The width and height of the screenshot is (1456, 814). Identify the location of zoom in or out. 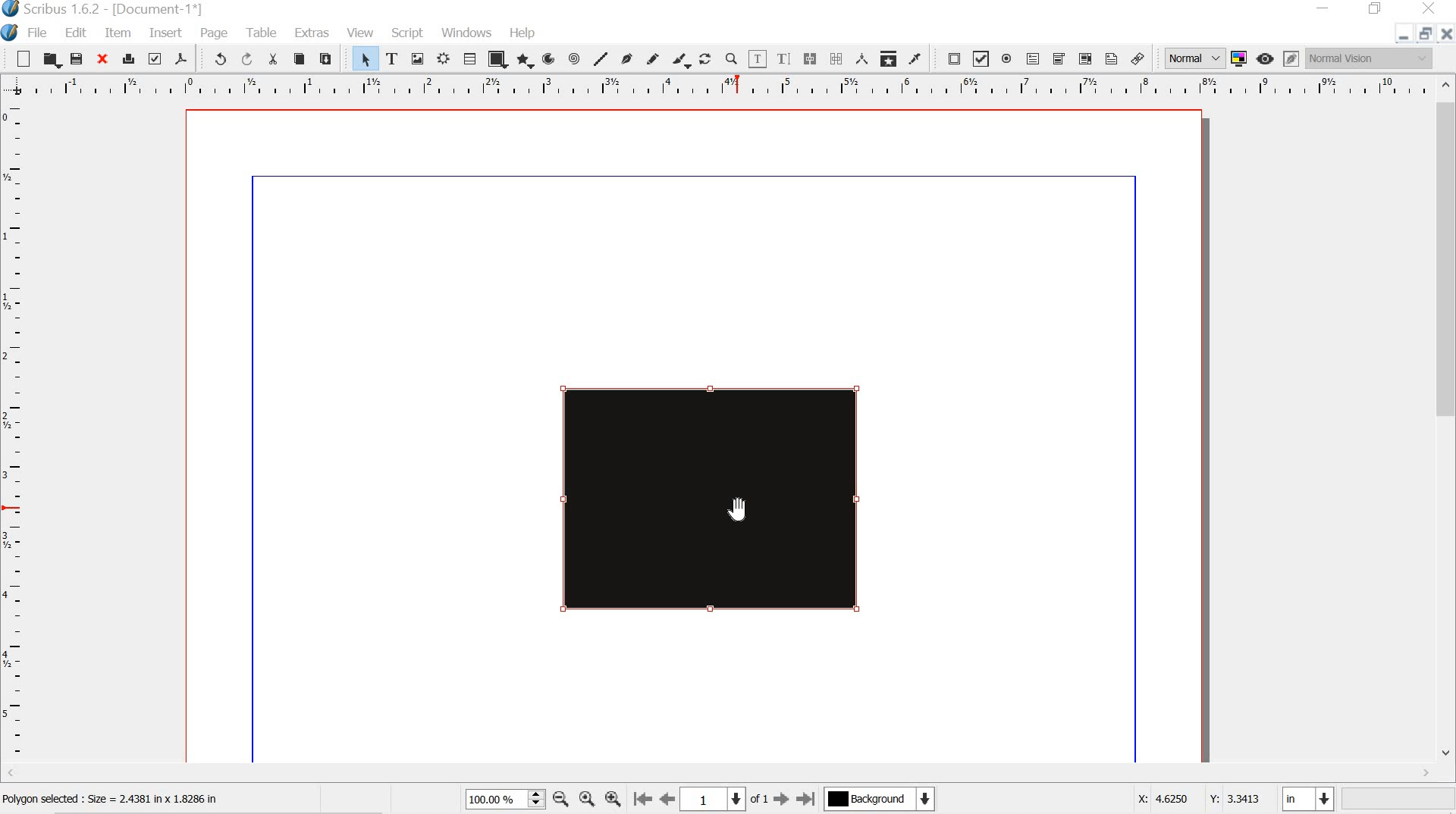
(733, 59).